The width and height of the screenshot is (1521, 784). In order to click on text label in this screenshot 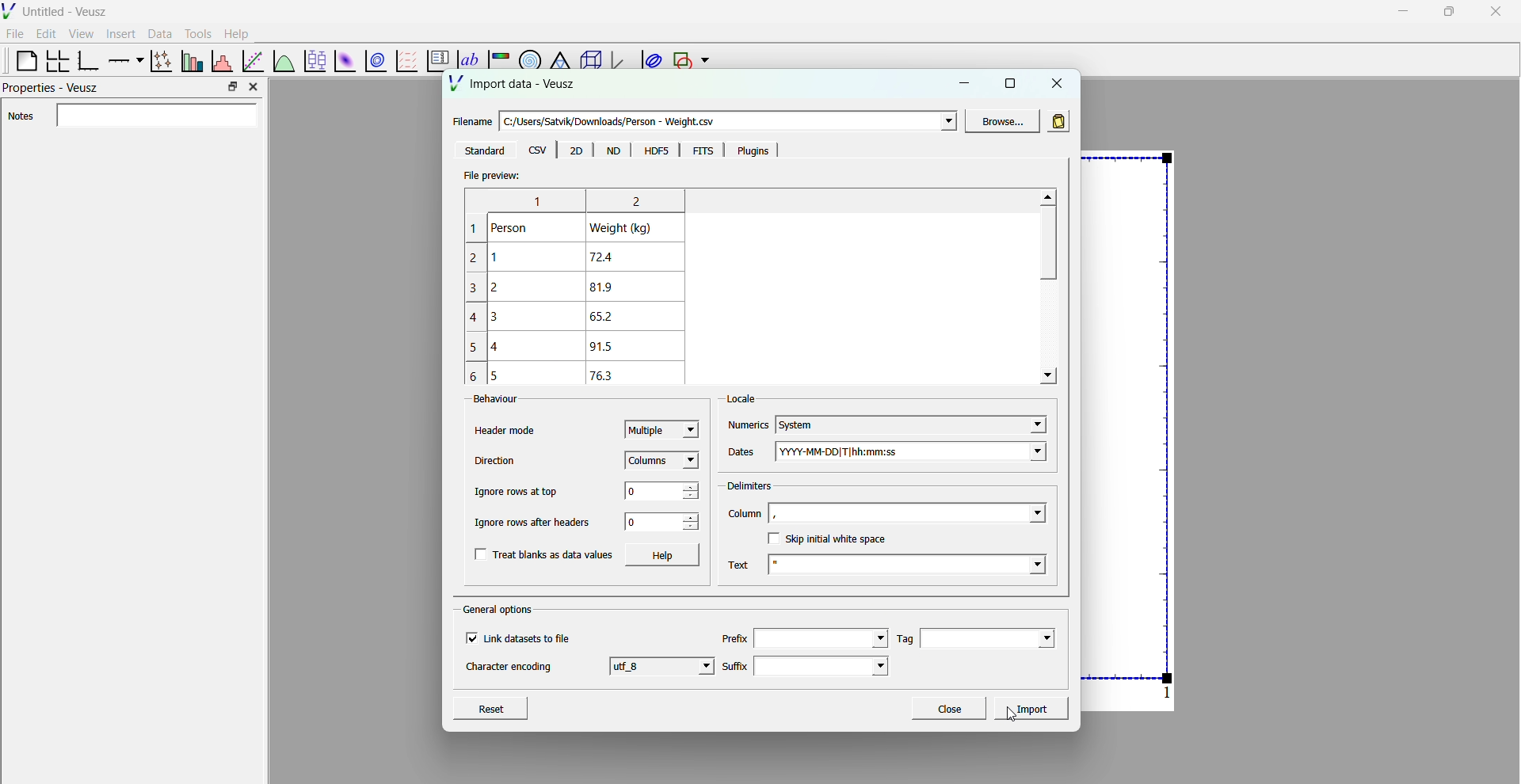, I will do `click(466, 51)`.